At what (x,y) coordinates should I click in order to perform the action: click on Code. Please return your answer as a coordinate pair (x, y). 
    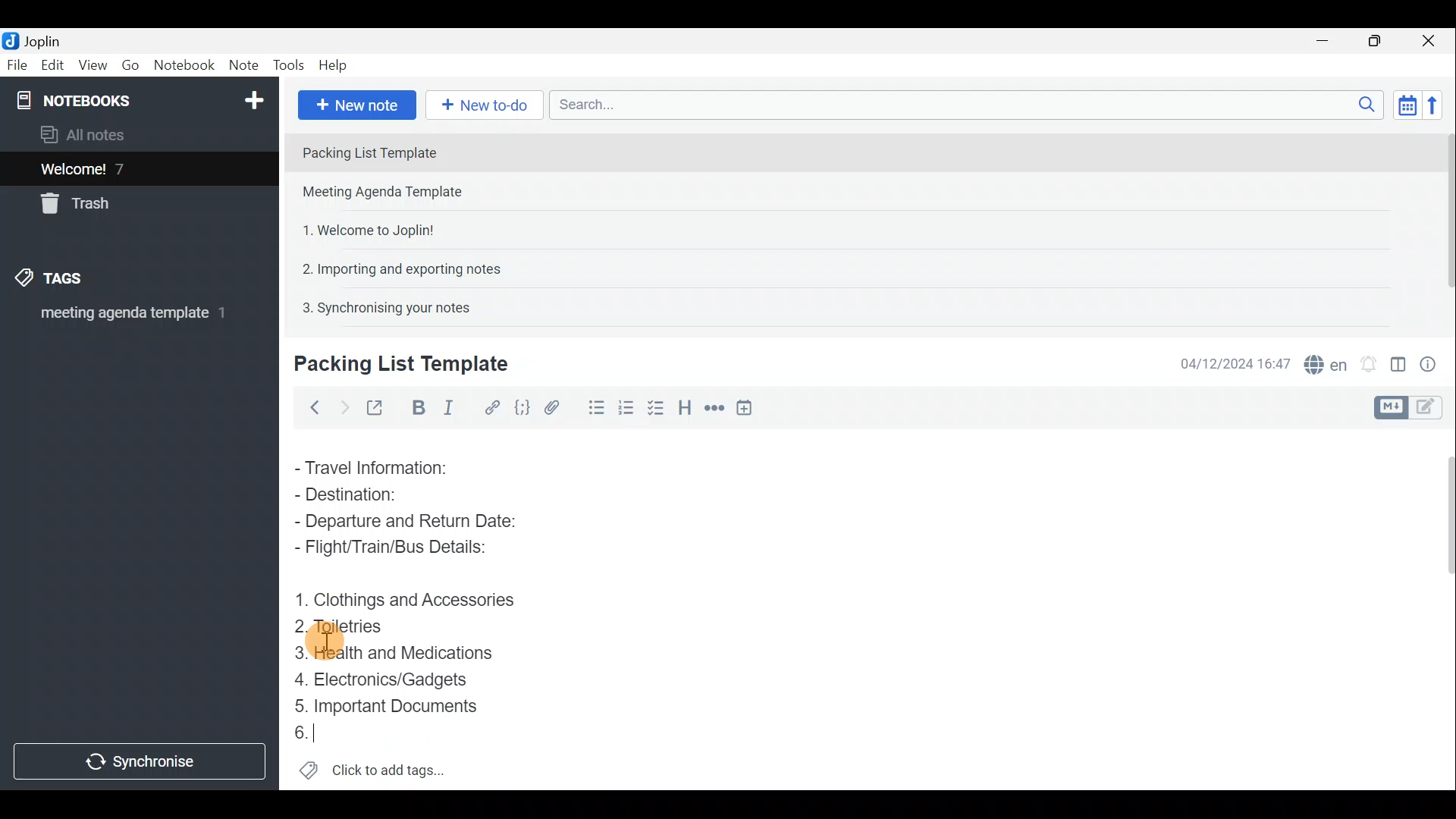
    Looking at the image, I should click on (522, 406).